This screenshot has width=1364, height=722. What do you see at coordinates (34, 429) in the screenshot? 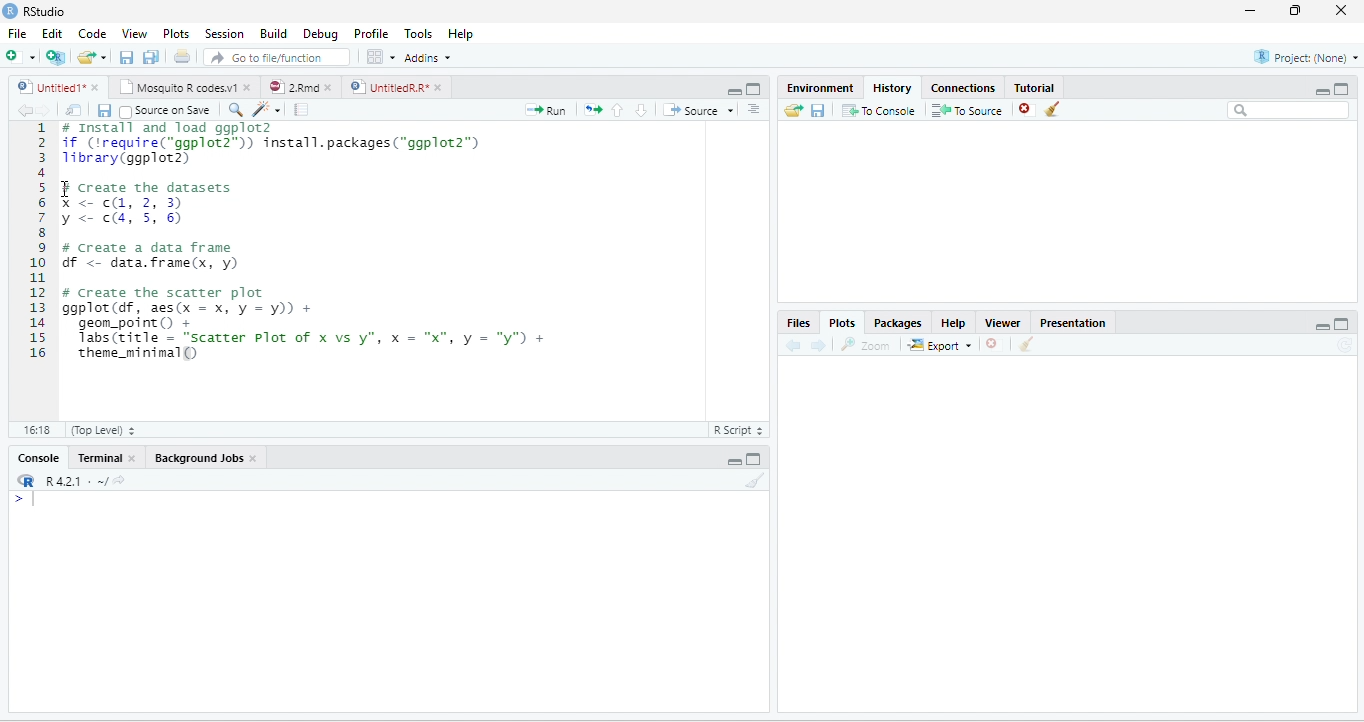
I see `1:1` at bounding box center [34, 429].